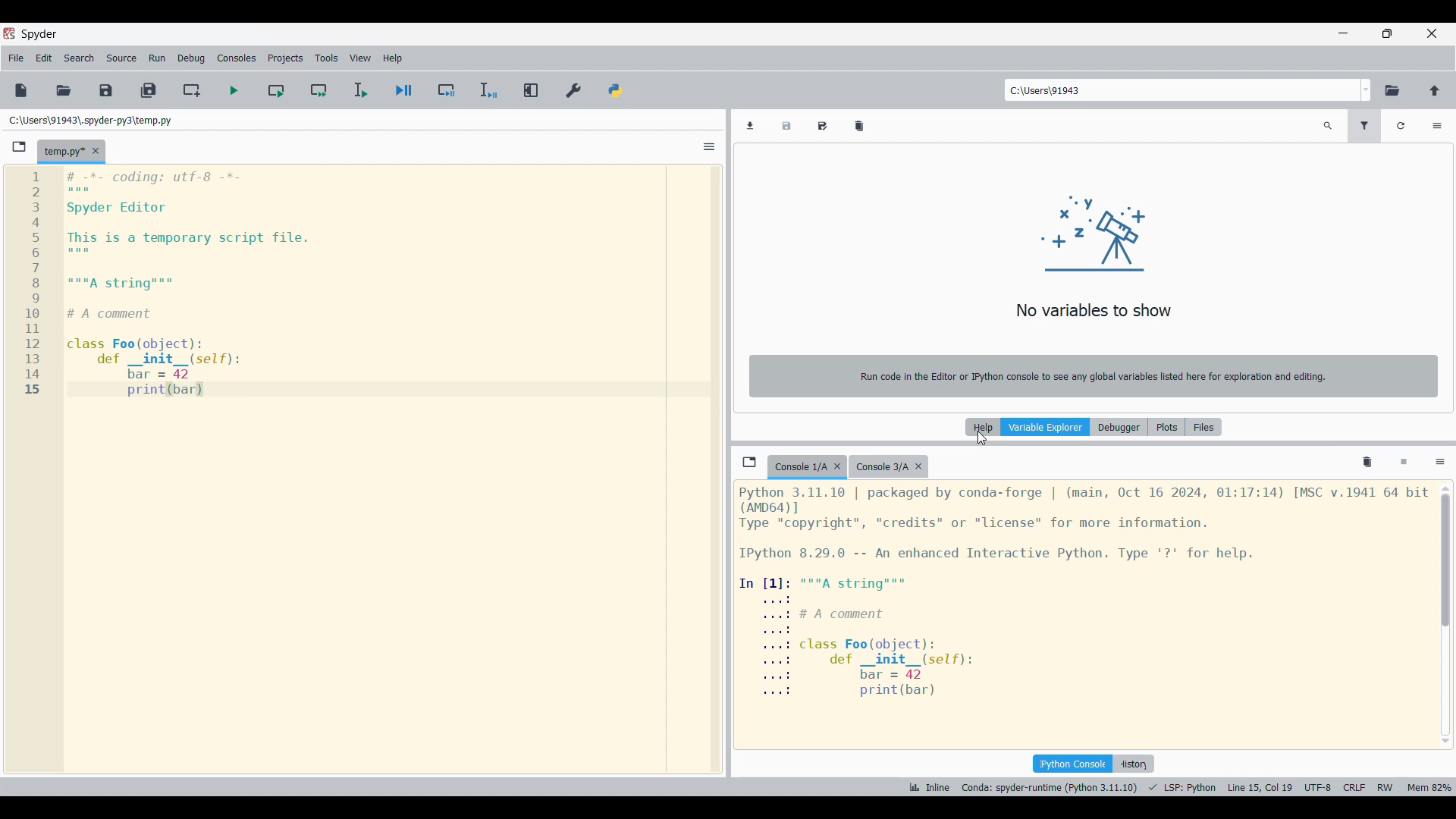 Image resolution: width=1456 pixels, height=819 pixels. Describe the element at coordinates (361, 58) in the screenshot. I see `View menu` at that location.